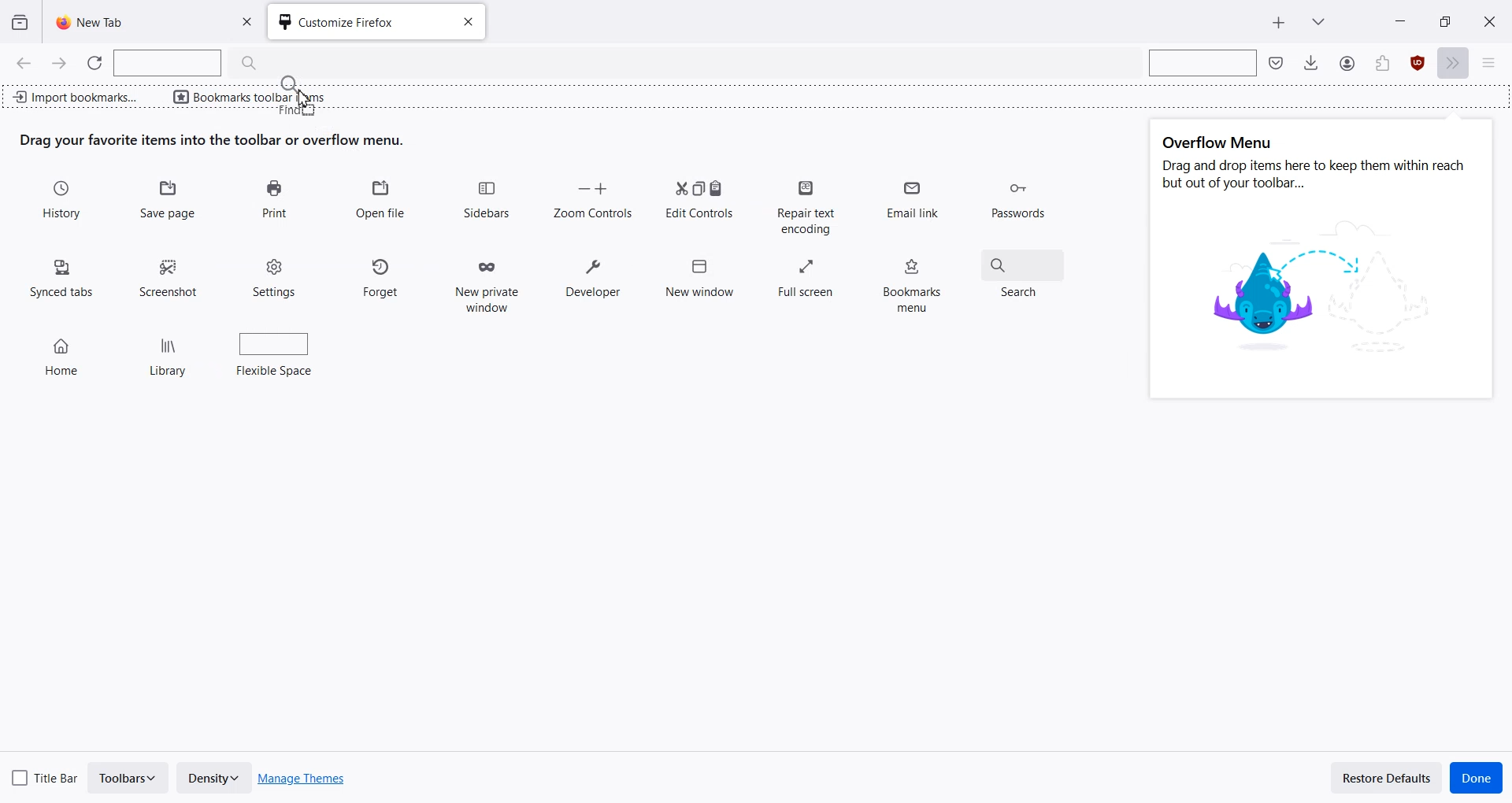 Image resolution: width=1512 pixels, height=803 pixels. What do you see at coordinates (1277, 62) in the screenshot?
I see `Save to pocket` at bounding box center [1277, 62].